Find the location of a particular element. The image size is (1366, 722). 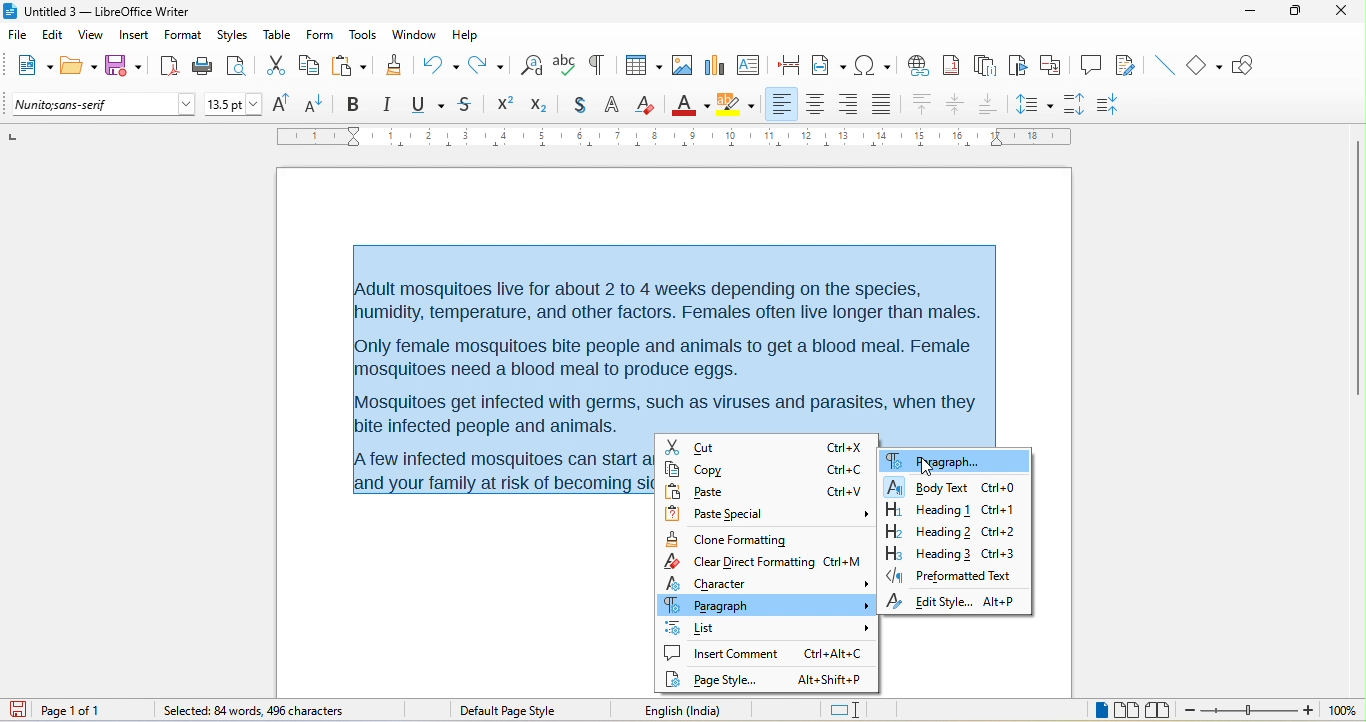

text box is located at coordinates (748, 64).